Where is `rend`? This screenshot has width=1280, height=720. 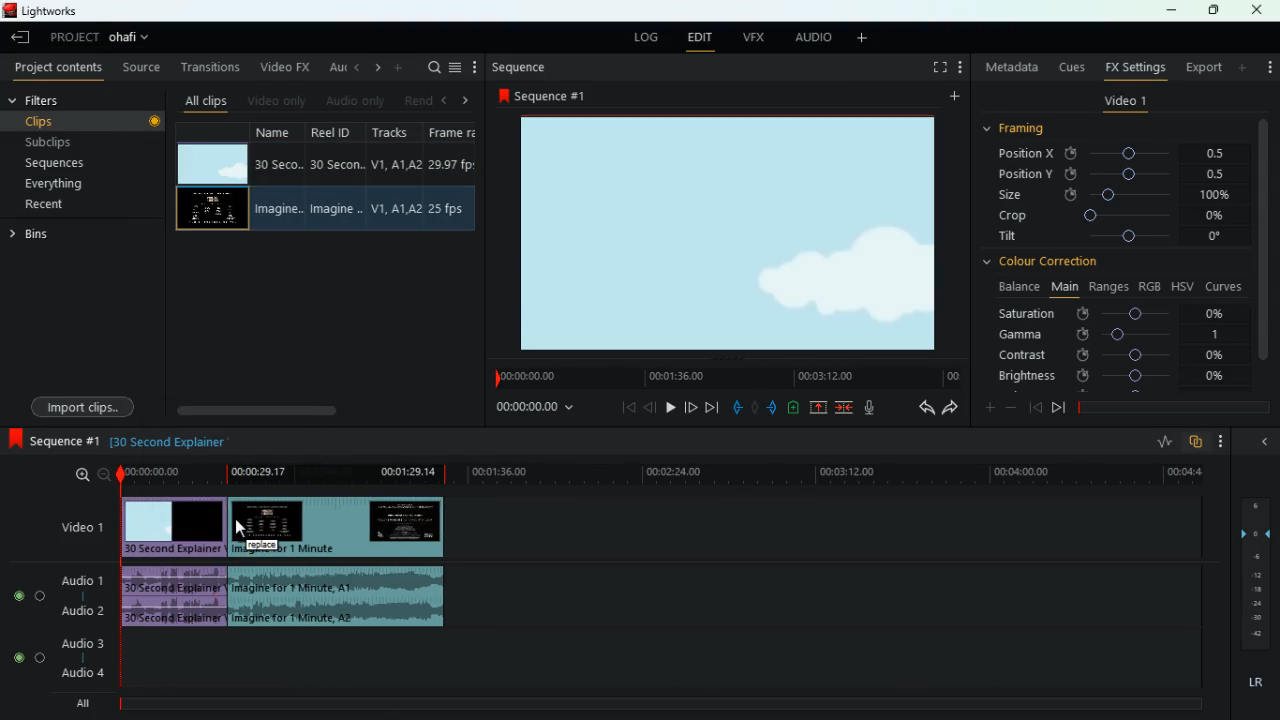 rend is located at coordinates (418, 99).